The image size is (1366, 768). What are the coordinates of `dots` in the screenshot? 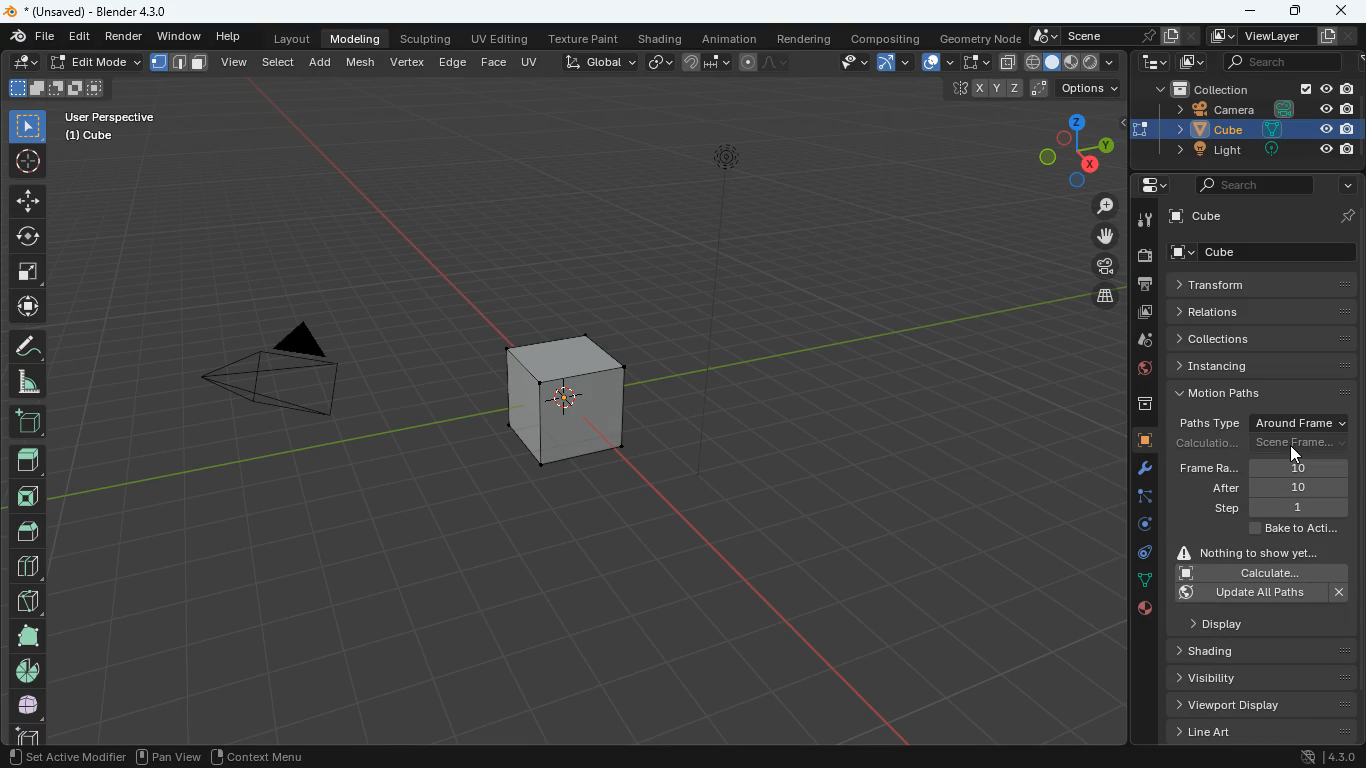 It's located at (1142, 582).